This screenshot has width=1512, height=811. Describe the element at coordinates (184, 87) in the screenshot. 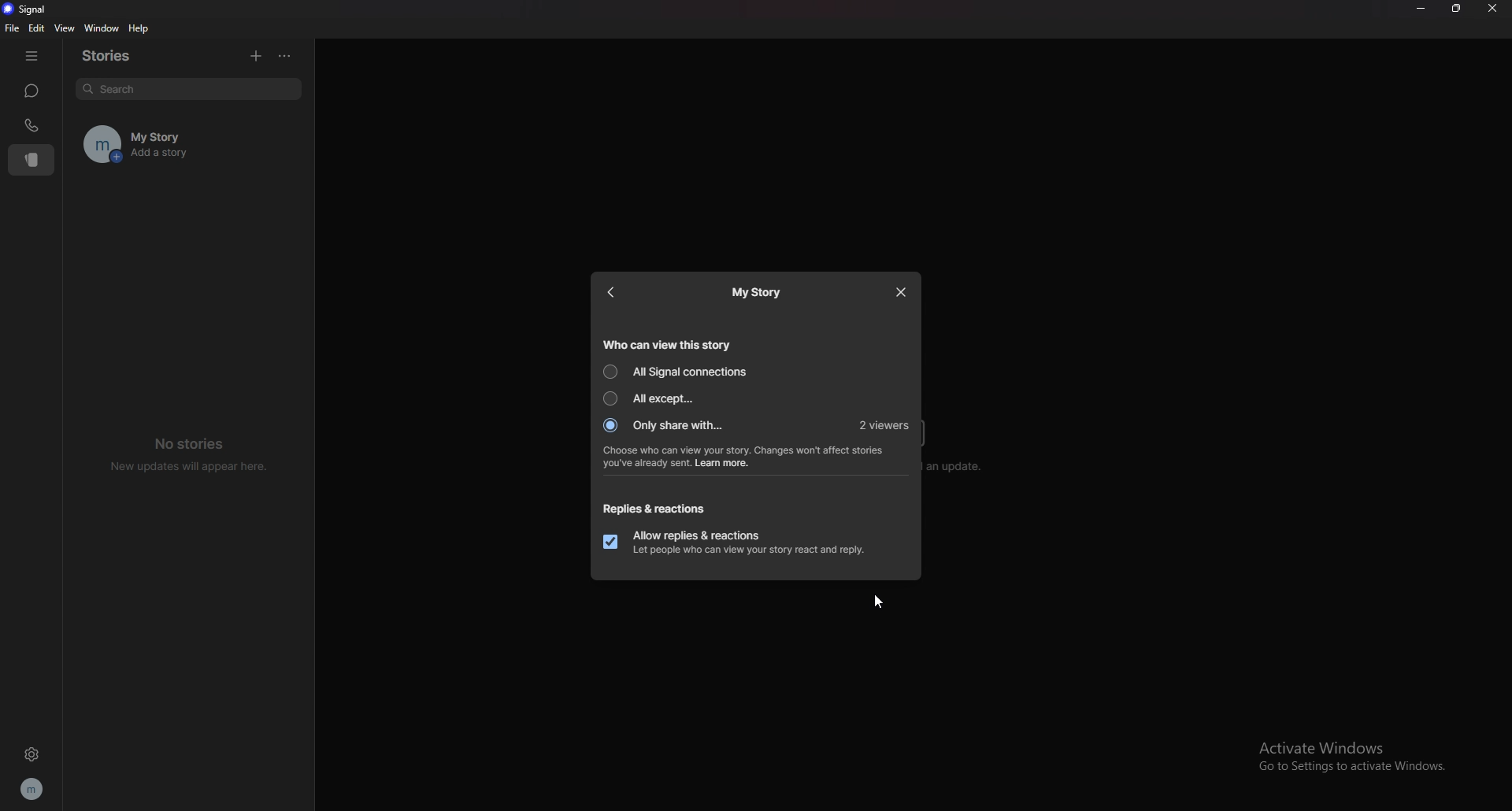

I see `search` at that location.